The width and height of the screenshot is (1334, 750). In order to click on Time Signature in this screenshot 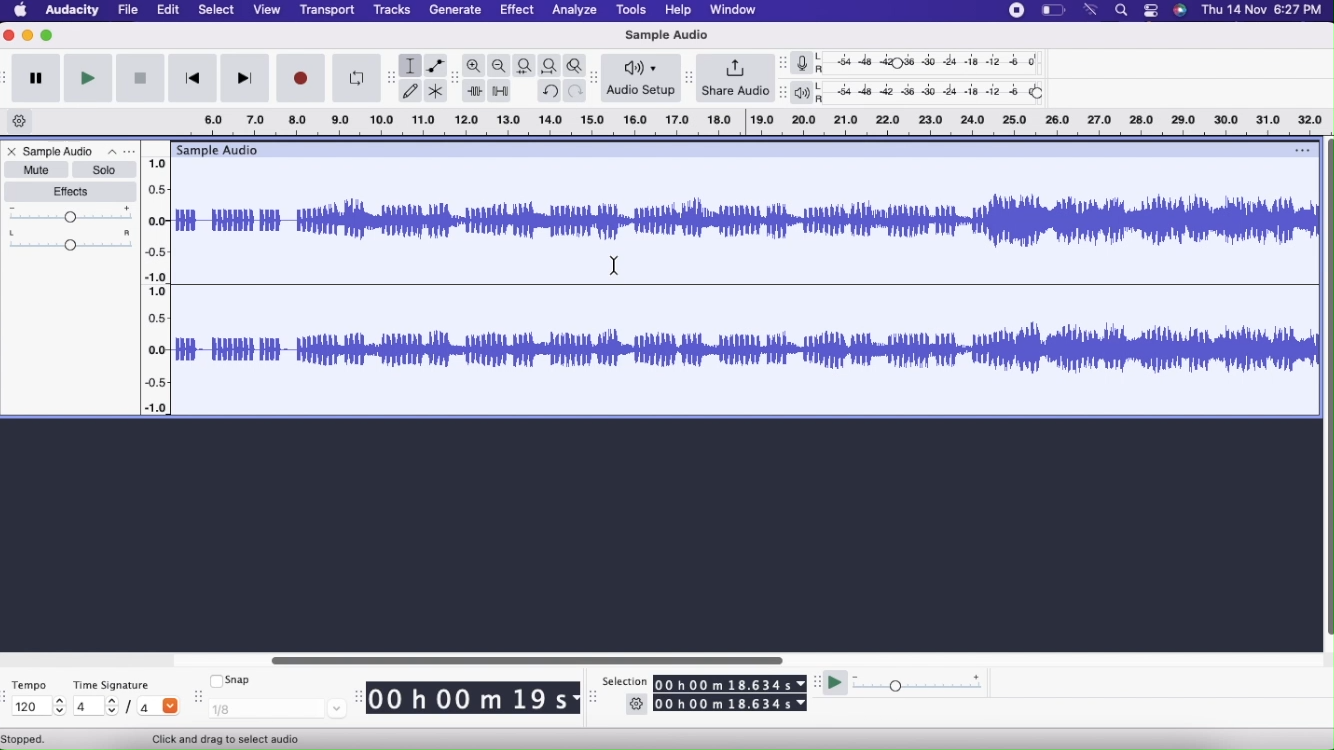, I will do `click(114, 685)`.